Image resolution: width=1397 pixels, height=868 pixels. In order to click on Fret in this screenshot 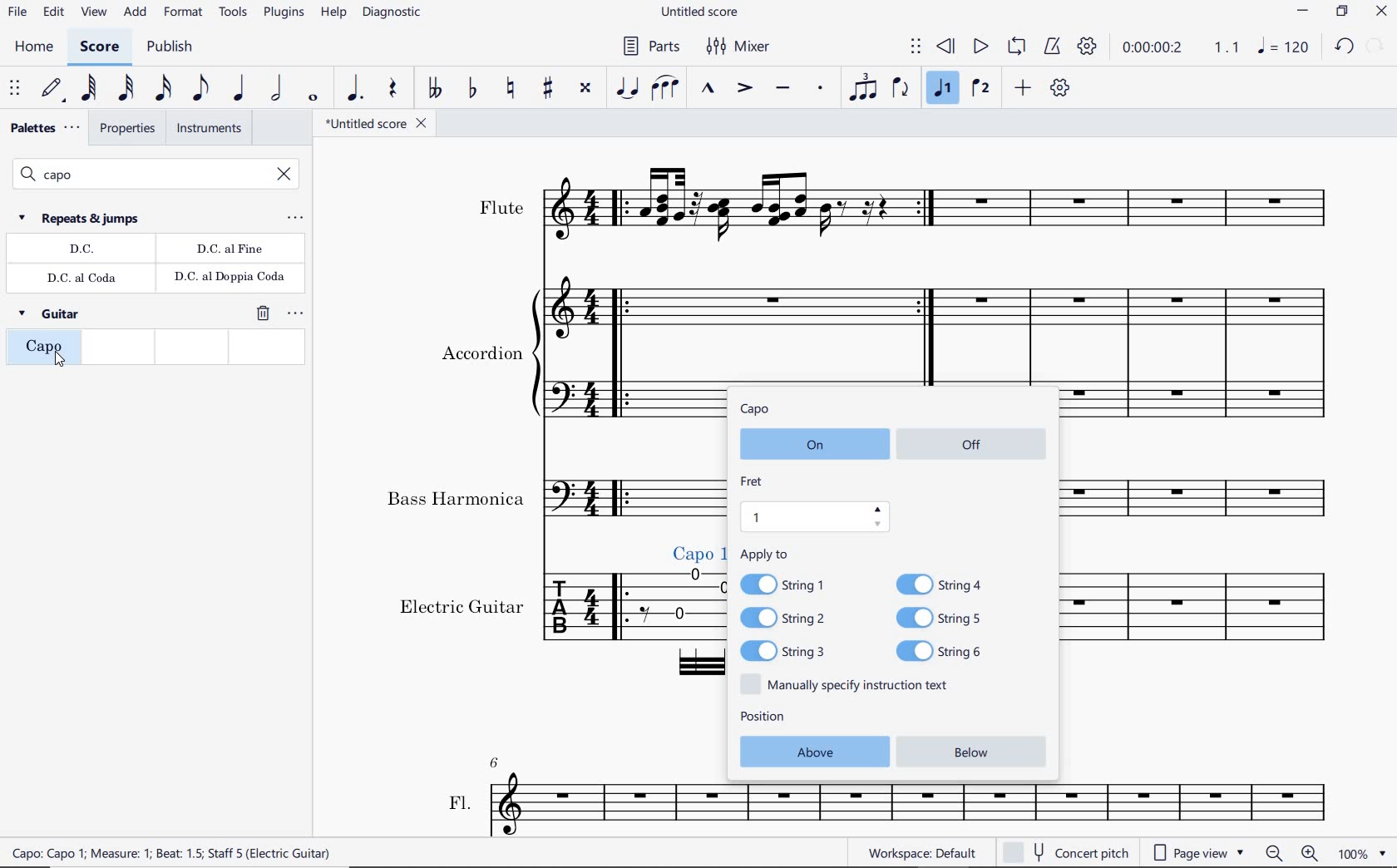, I will do `click(753, 480)`.